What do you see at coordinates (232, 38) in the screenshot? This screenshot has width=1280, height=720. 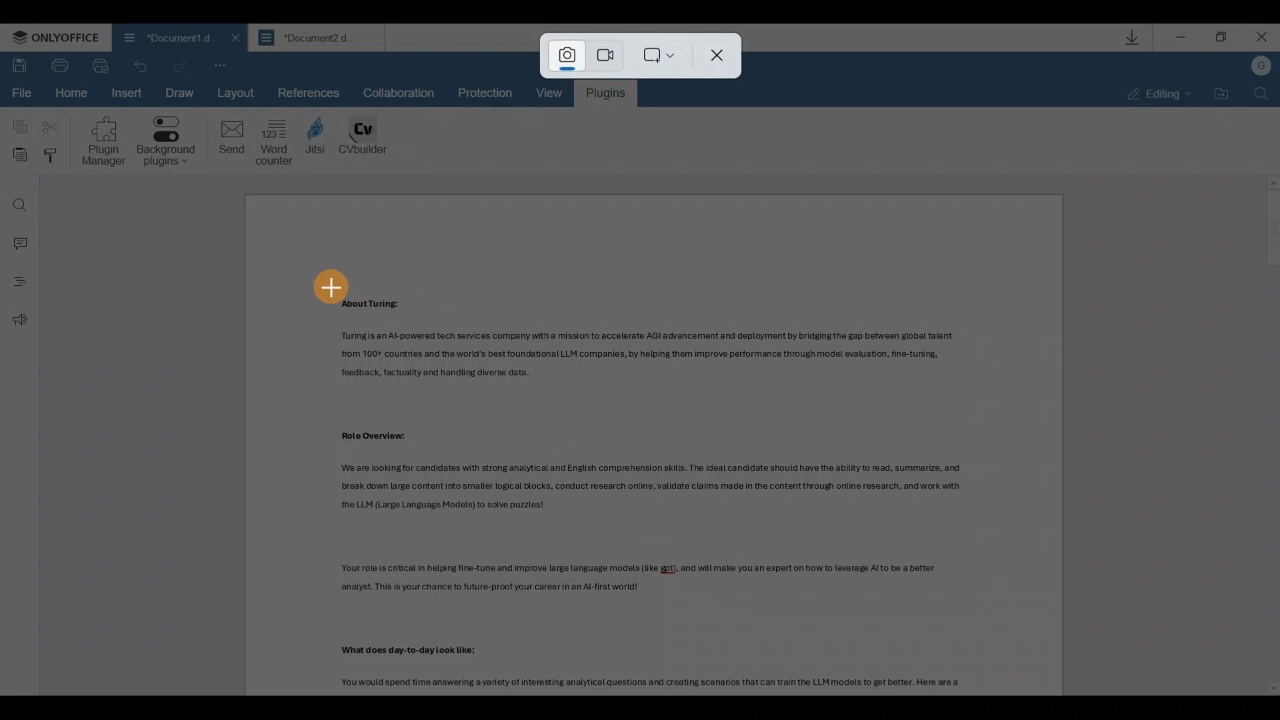 I see `Close` at bounding box center [232, 38].